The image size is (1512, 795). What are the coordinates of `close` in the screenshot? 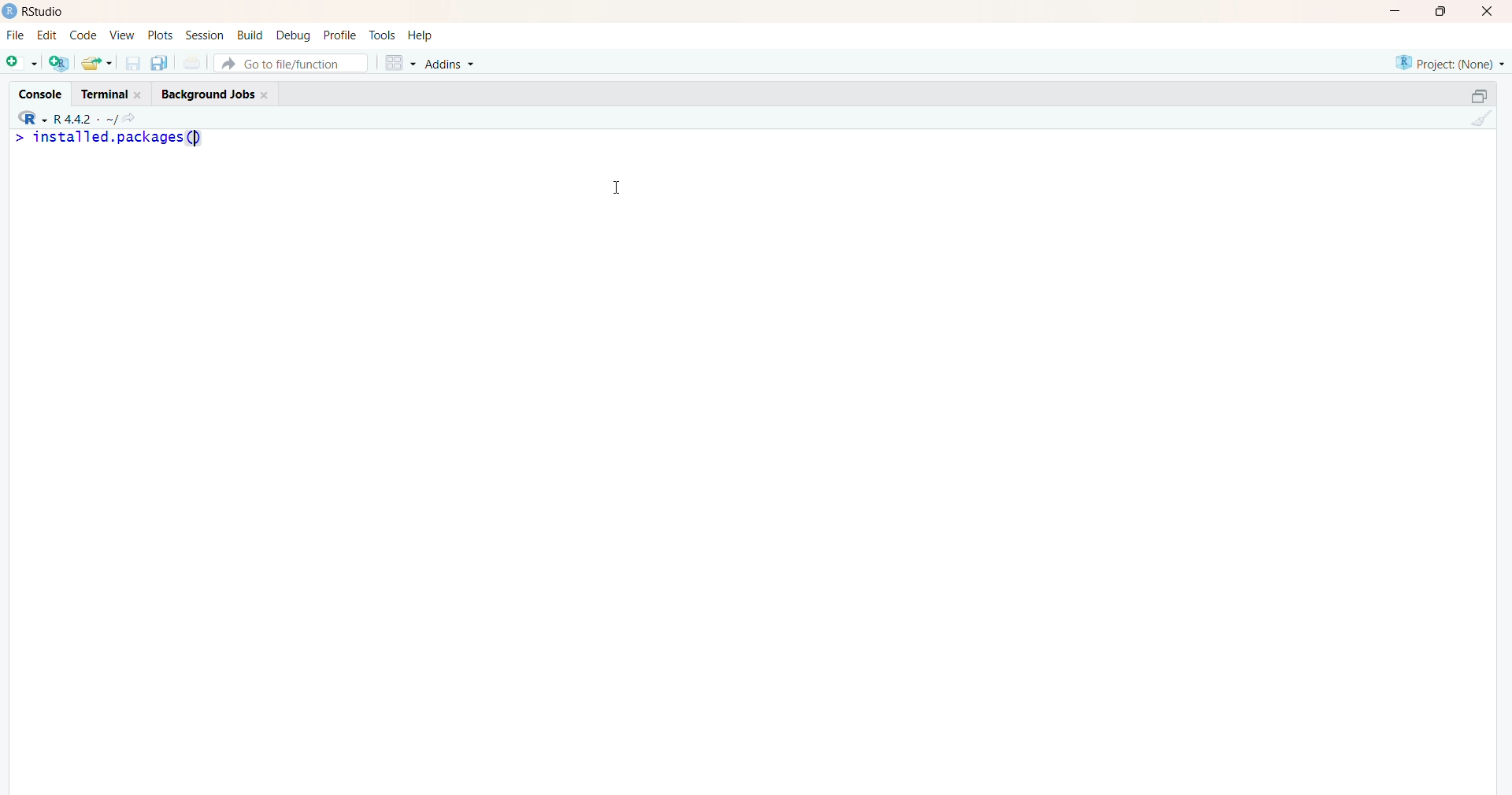 It's located at (1491, 10).